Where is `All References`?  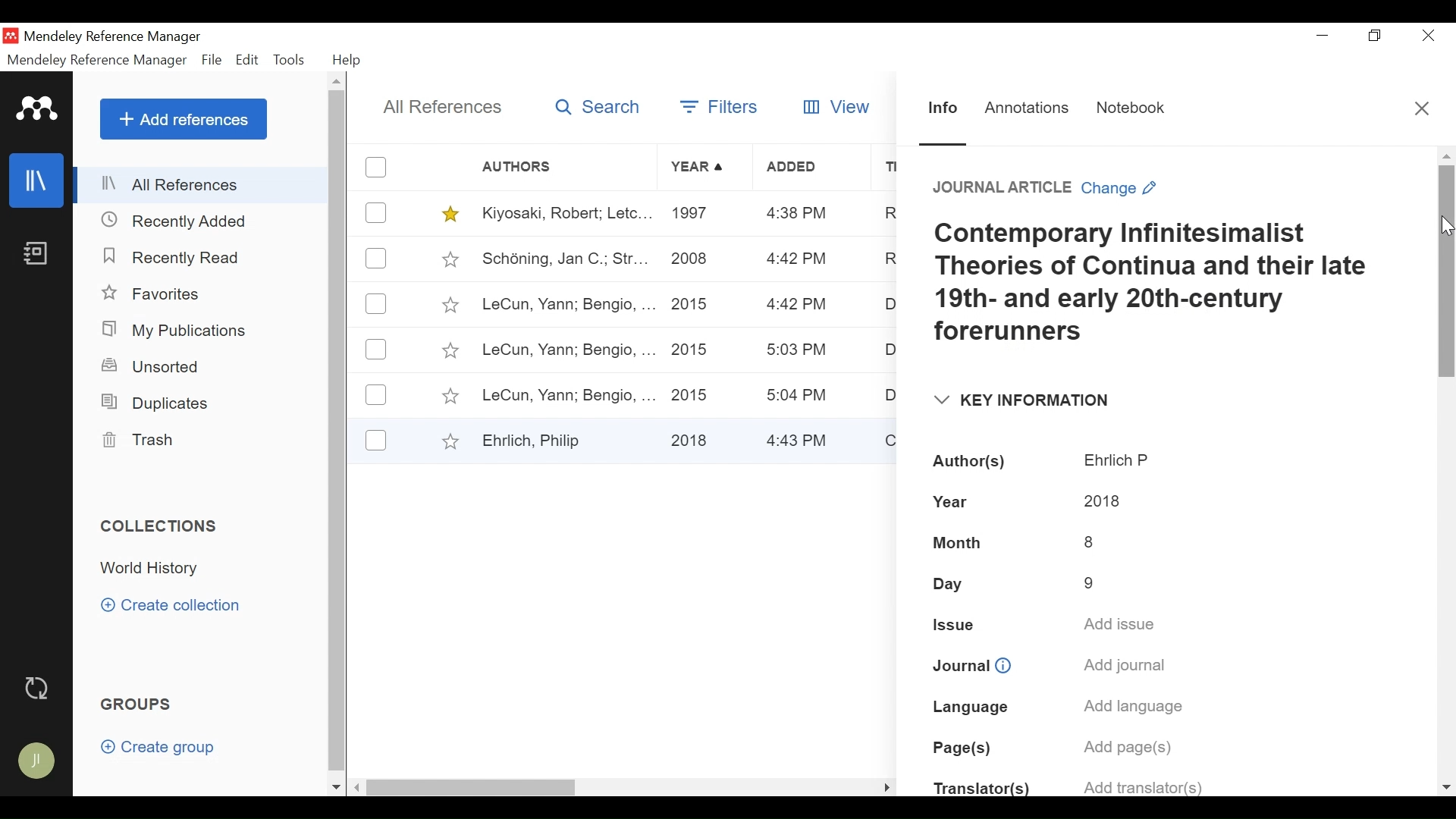
All References is located at coordinates (203, 186).